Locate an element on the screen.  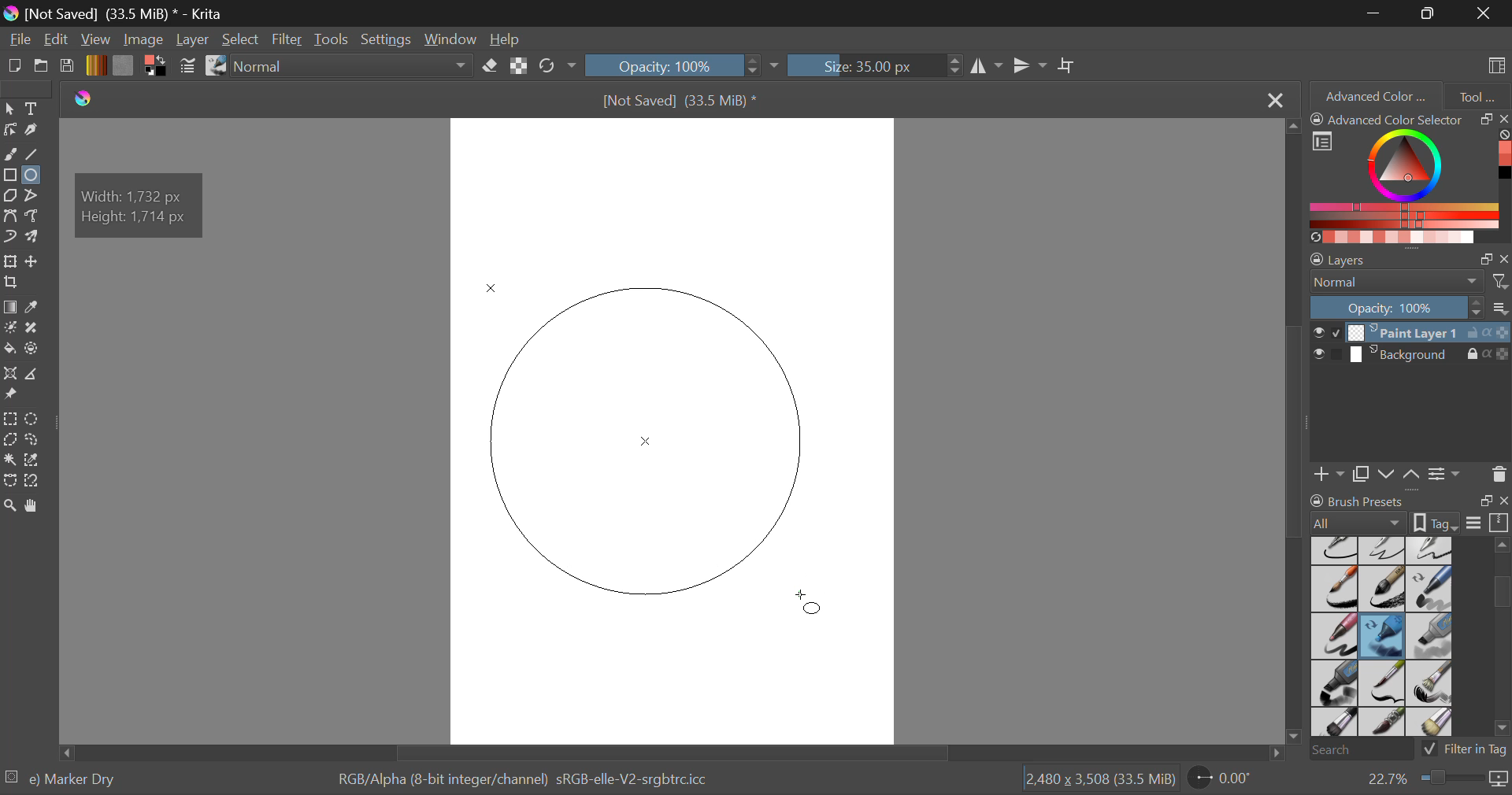
Reference Images is located at coordinates (13, 395).